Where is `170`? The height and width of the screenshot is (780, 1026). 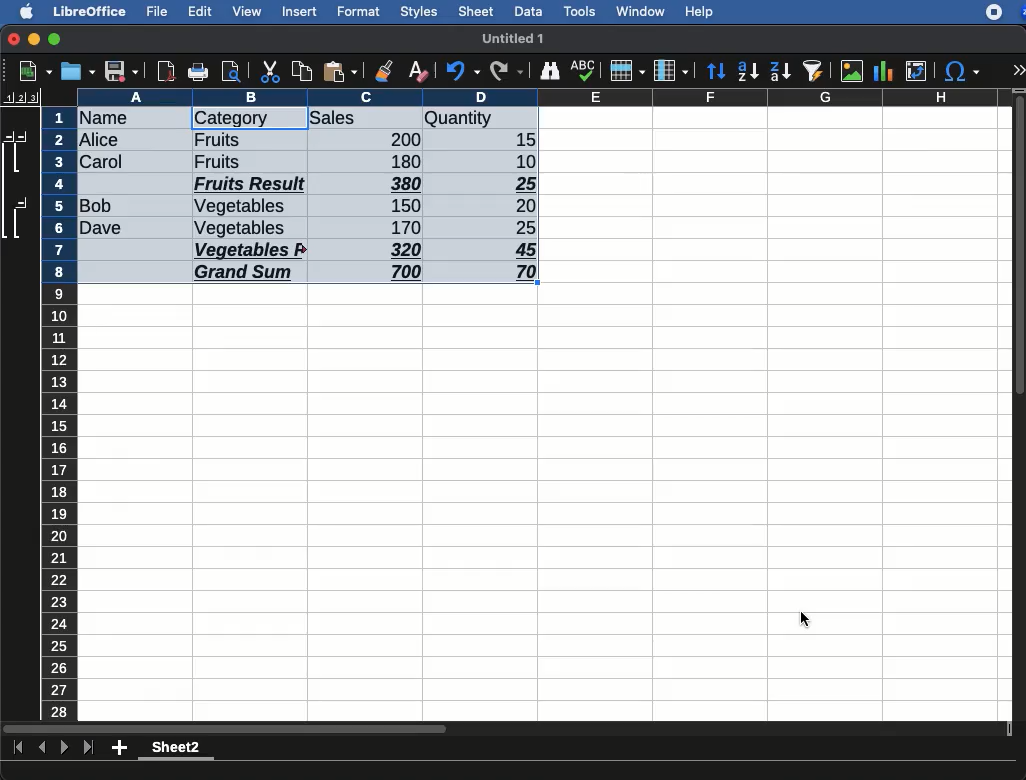 170 is located at coordinates (406, 227).